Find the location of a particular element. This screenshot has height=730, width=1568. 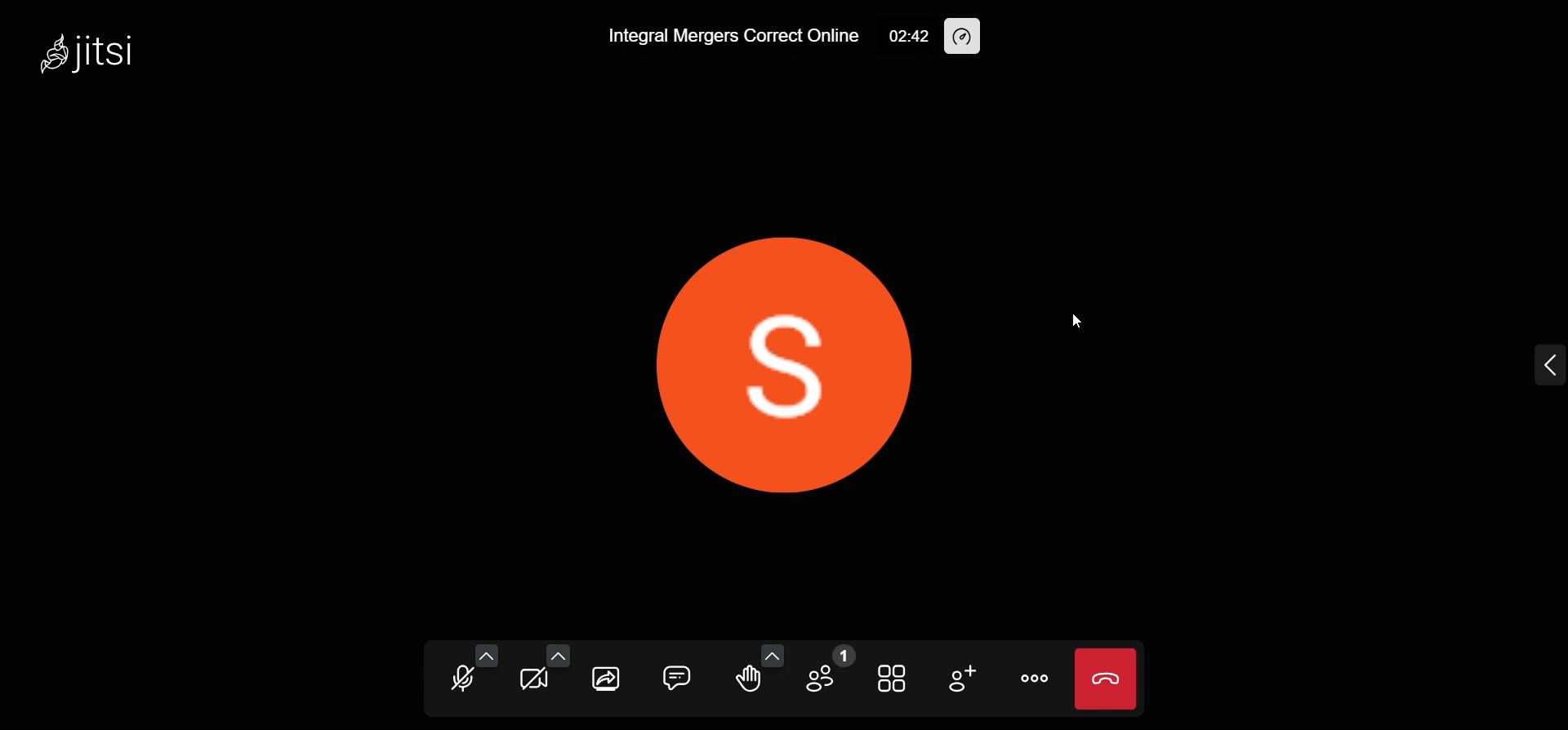

performance setting is located at coordinates (979, 35).